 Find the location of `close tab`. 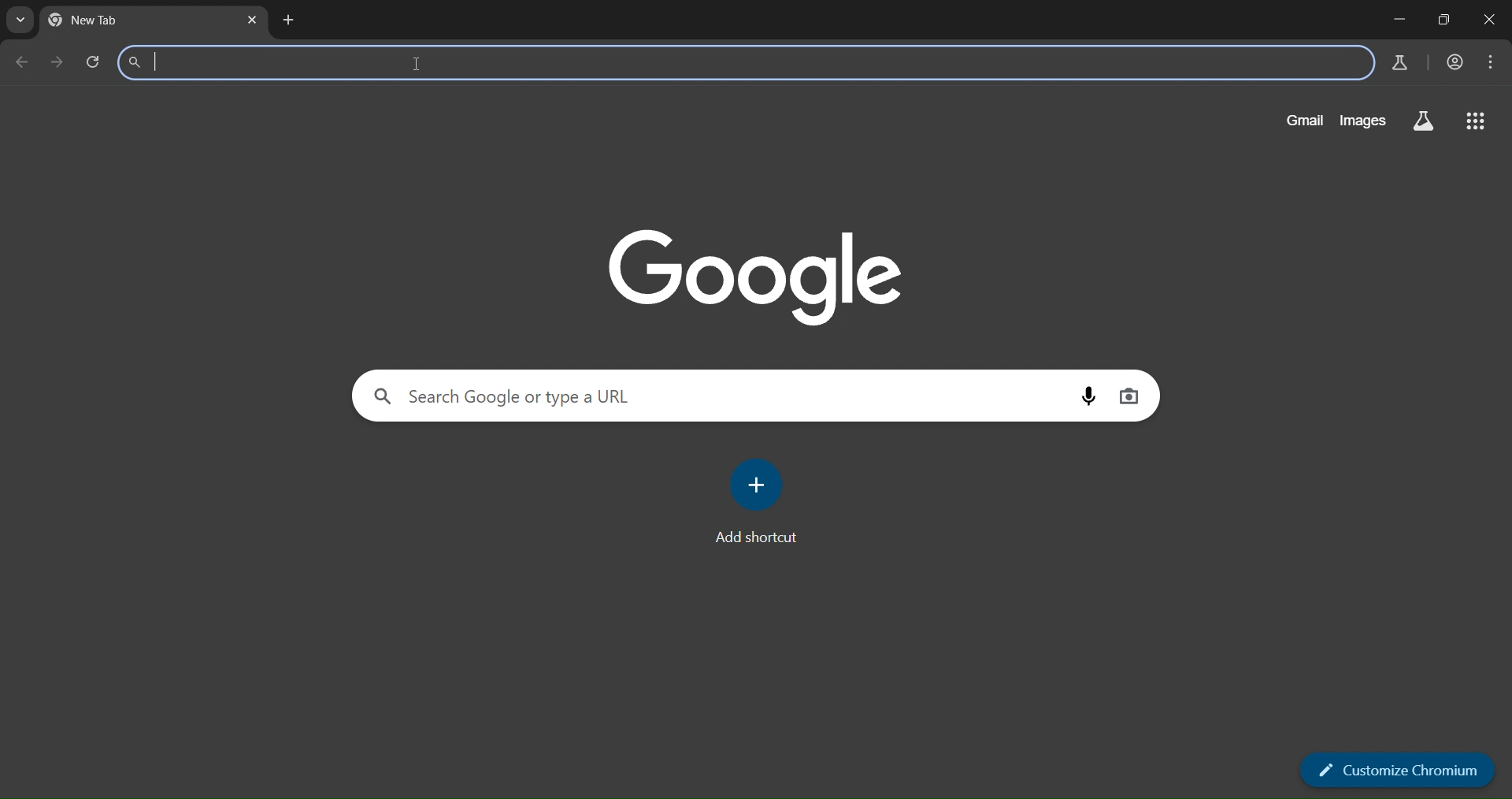

close tab is located at coordinates (251, 20).